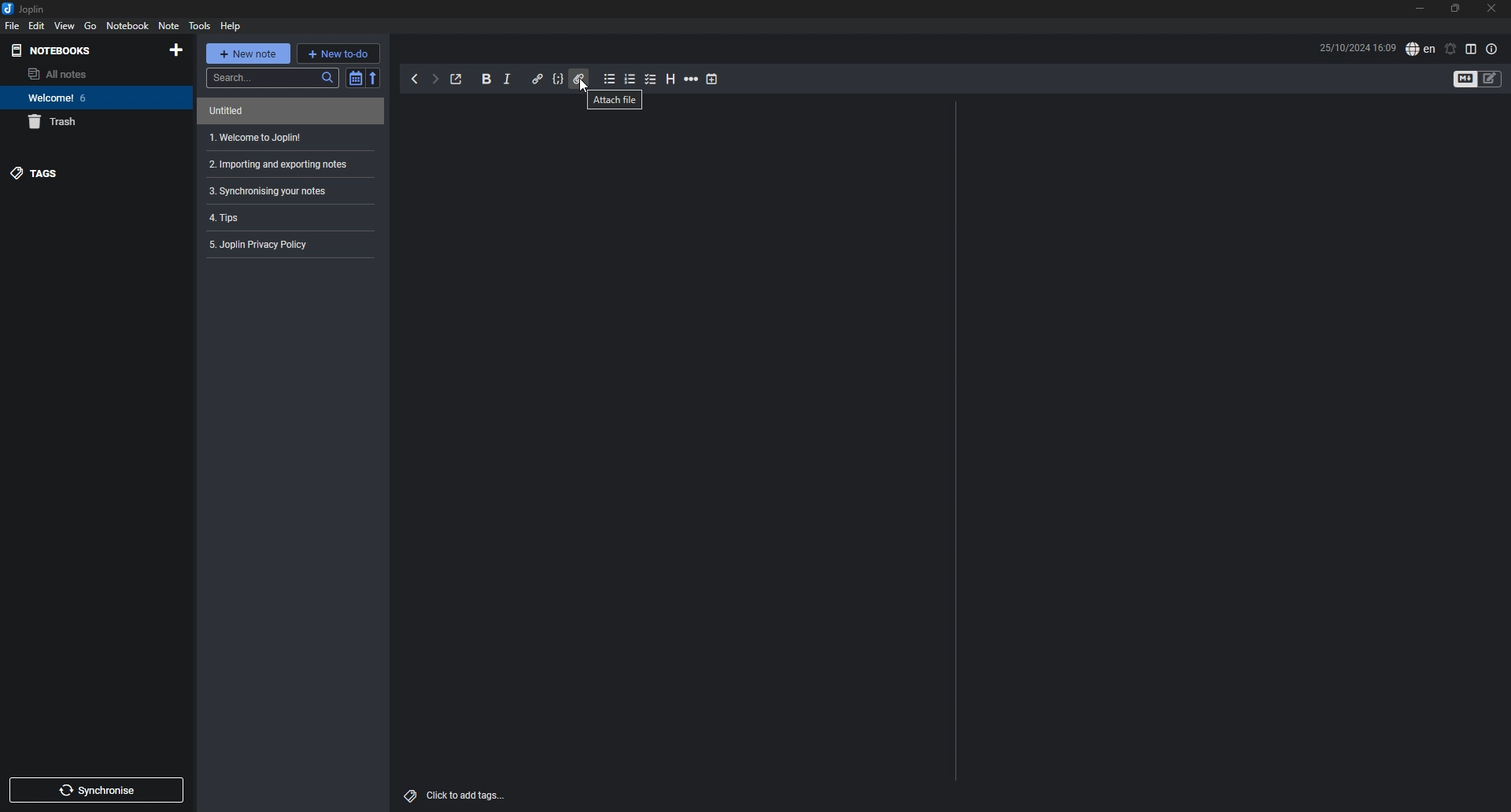  What do you see at coordinates (176, 50) in the screenshot?
I see `add notebook` at bounding box center [176, 50].